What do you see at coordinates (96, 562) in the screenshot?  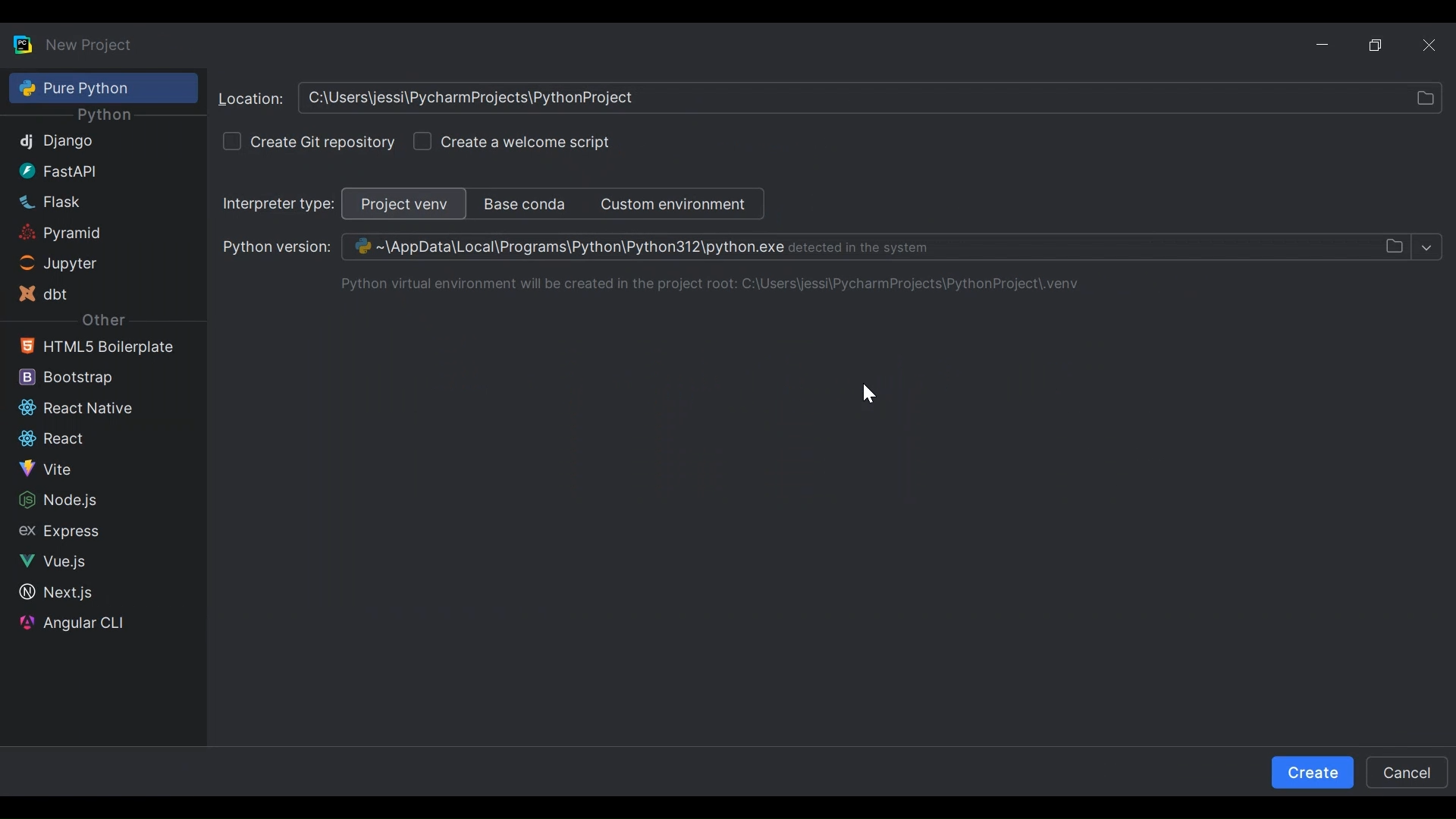 I see `Vue.js` at bounding box center [96, 562].